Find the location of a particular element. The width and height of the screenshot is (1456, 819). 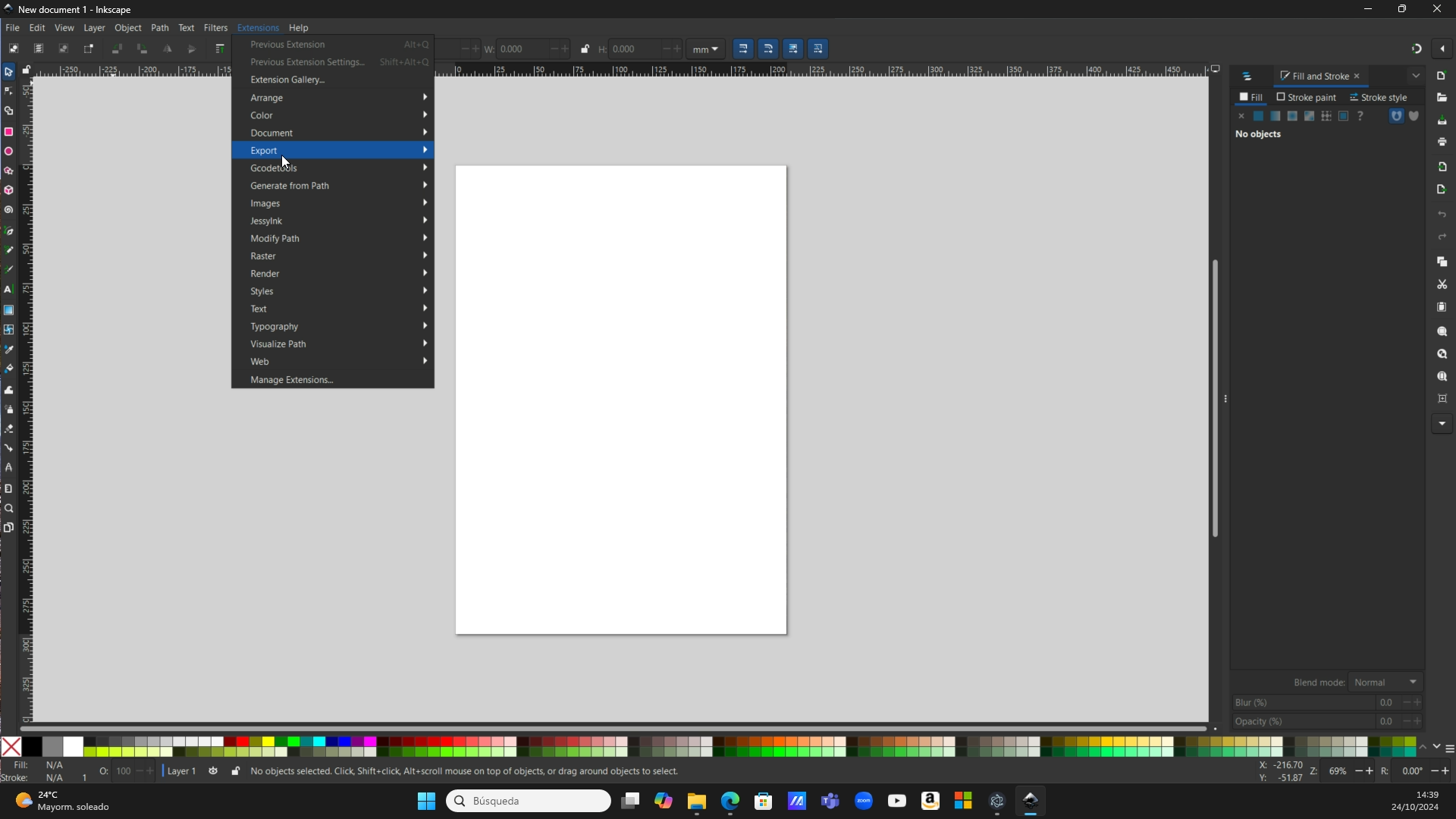

Object is located at coordinates (130, 28).